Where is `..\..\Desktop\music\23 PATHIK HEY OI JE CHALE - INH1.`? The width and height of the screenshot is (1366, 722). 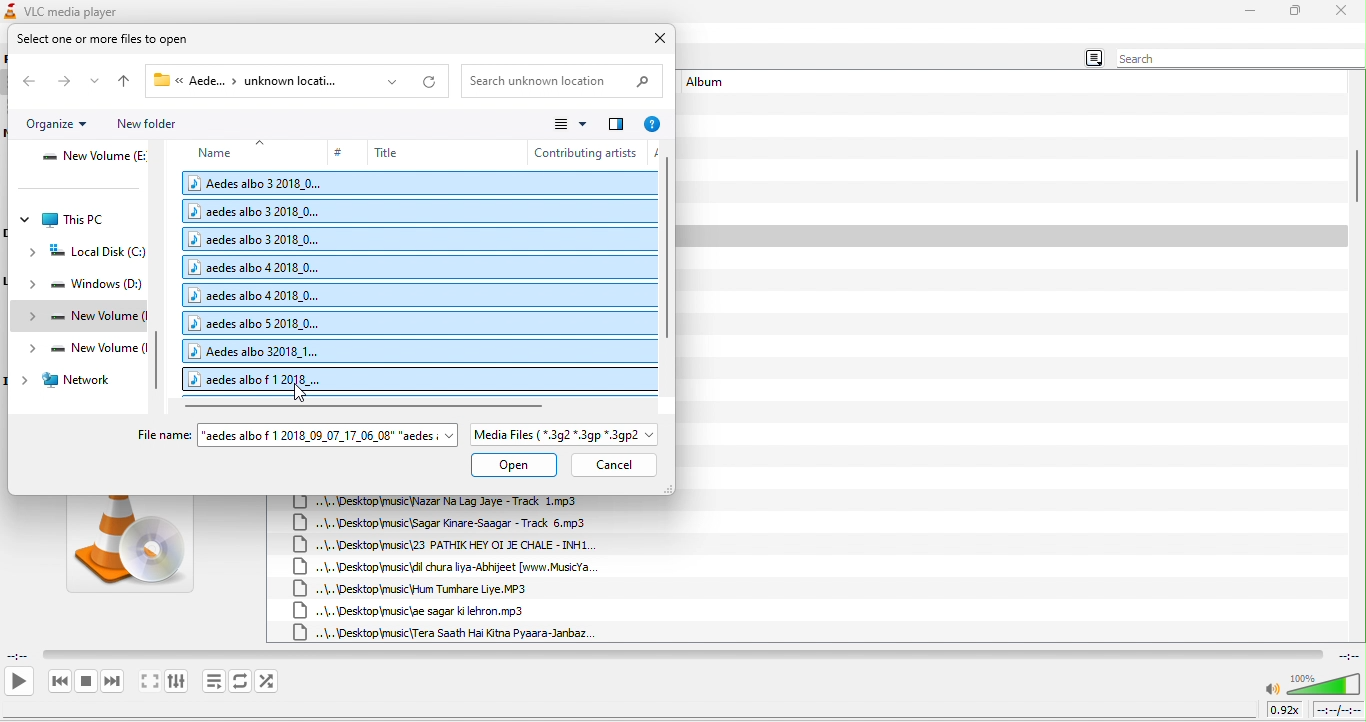 ..\..\Desktop\music\23 PATHIK HEY OI JE CHALE - INH1. is located at coordinates (445, 546).